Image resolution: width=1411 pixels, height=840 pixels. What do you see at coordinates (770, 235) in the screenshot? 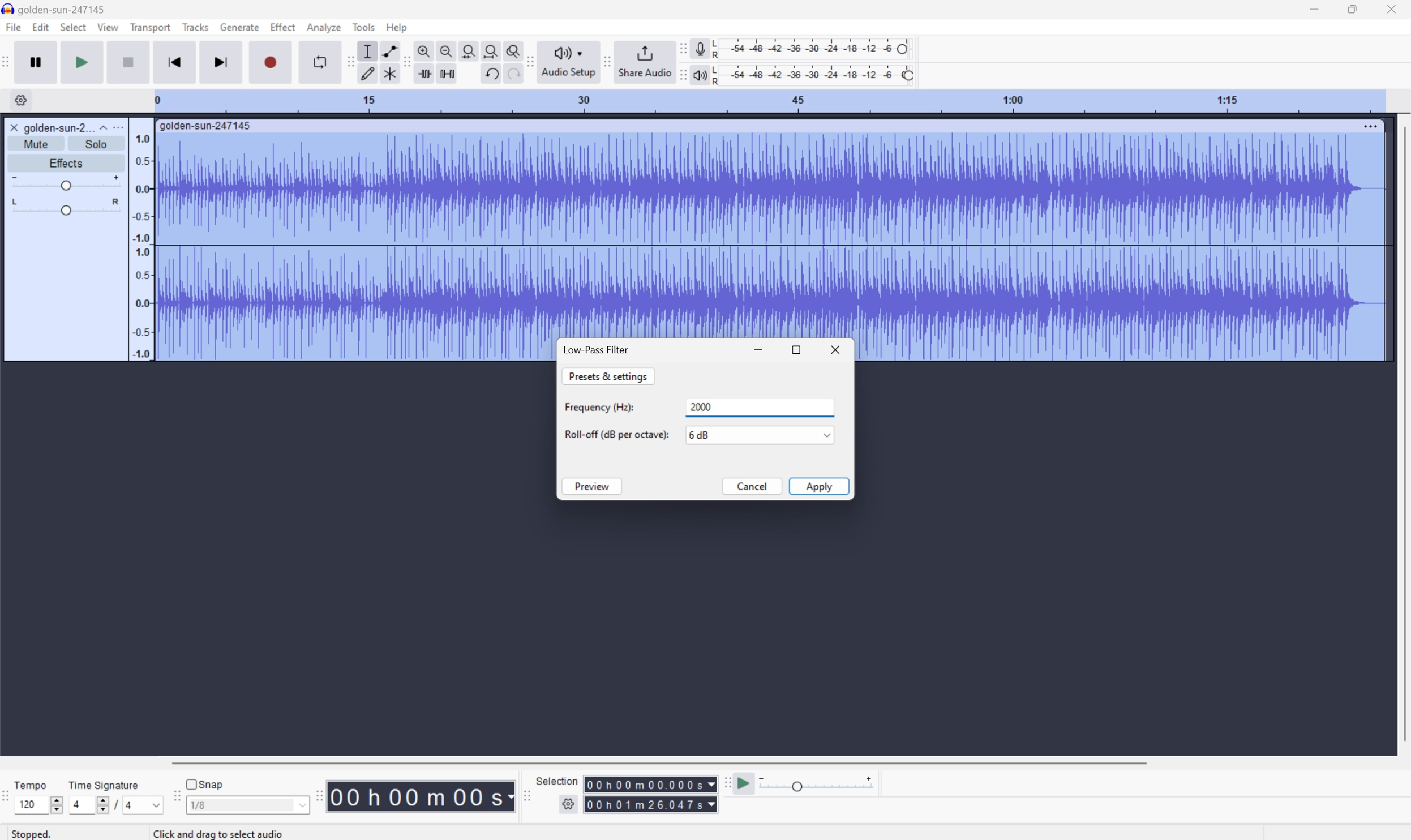
I see `Audio` at bounding box center [770, 235].